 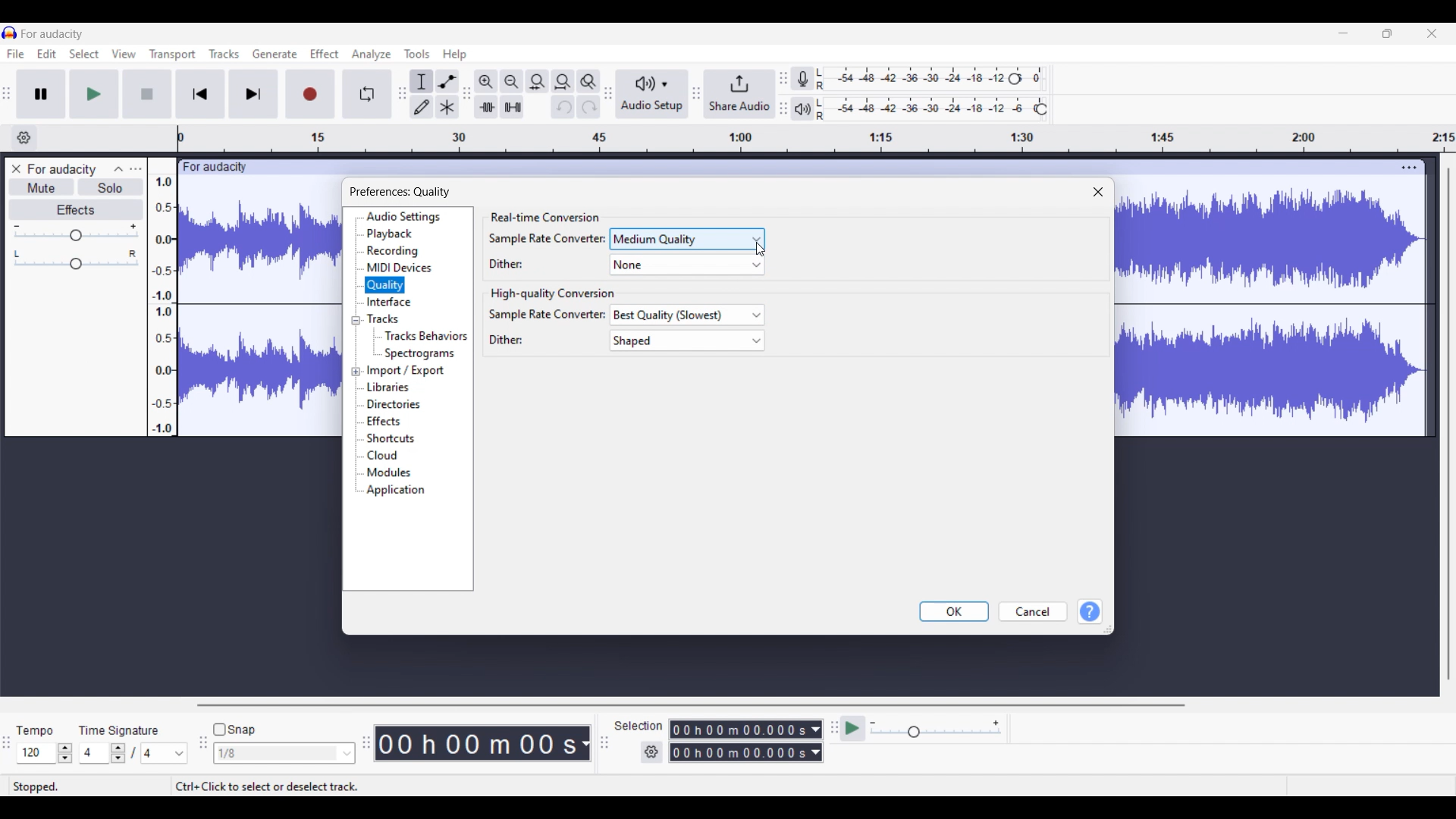 I want to click on Playback level, so click(x=923, y=109).